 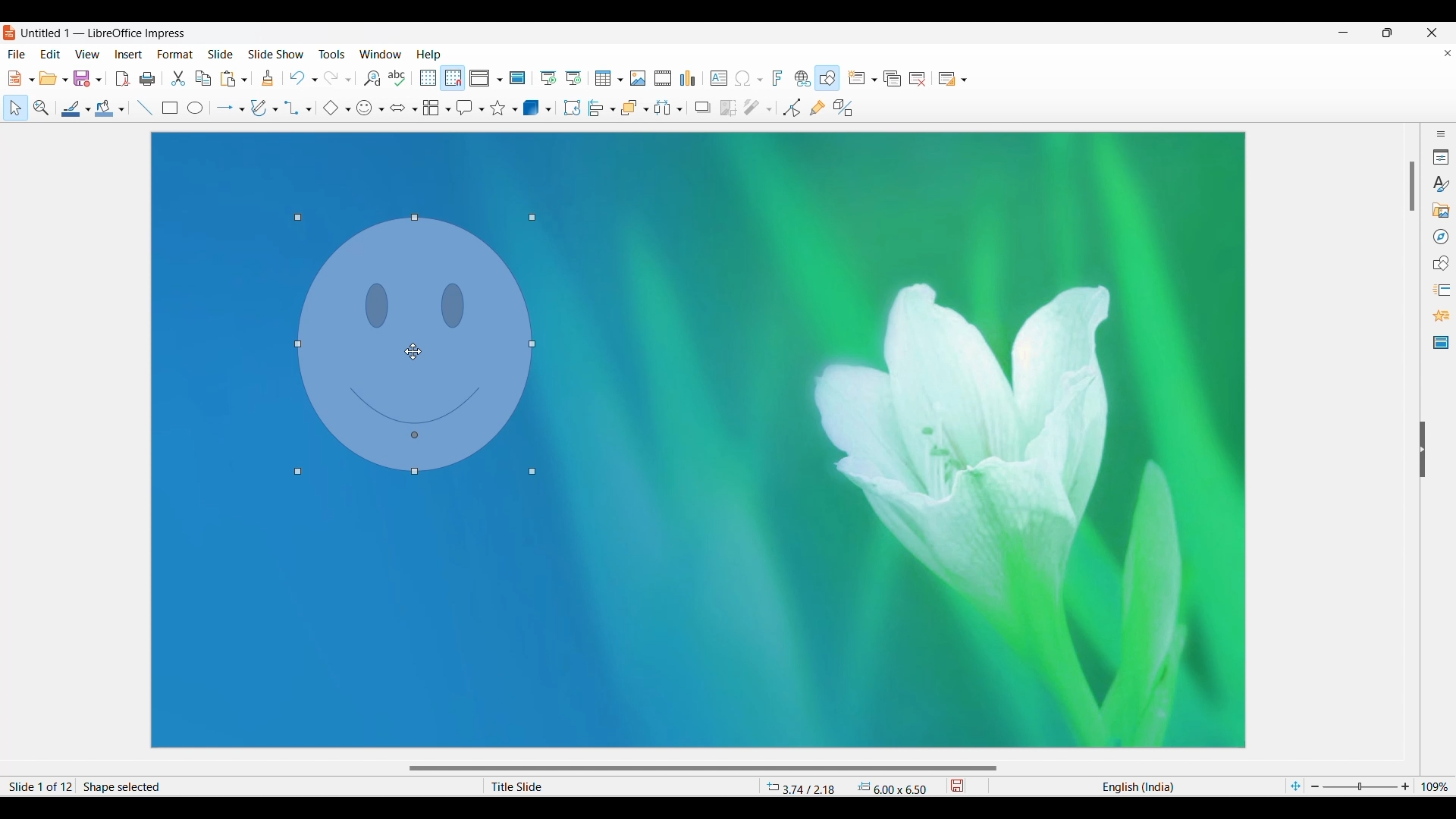 What do you see at coordinates (449, 109) in the screenshot?
I see `Flowchart options` at bounding box center [449, 109].